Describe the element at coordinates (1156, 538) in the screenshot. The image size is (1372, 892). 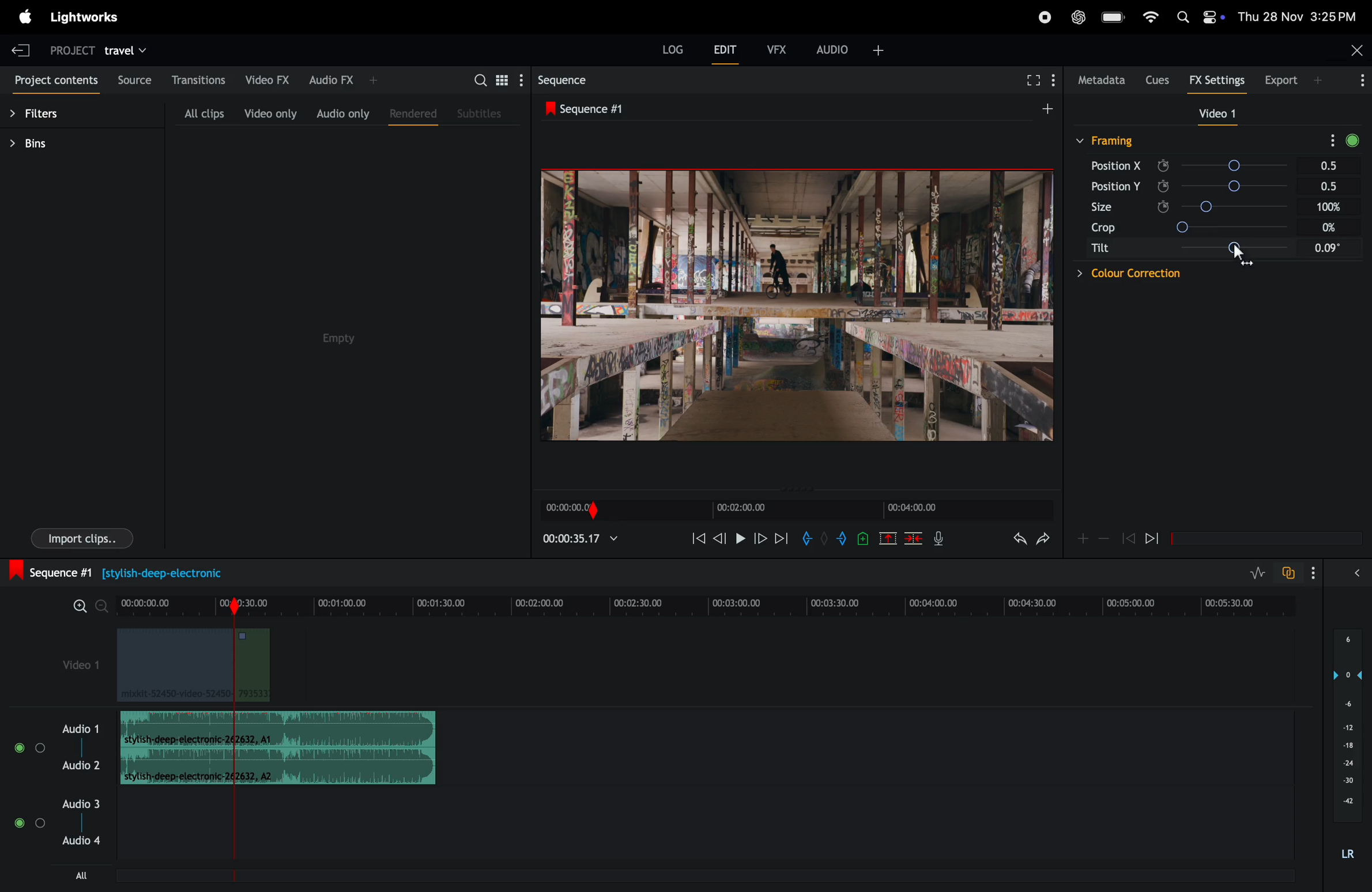
I see `jump to next keyframe` at that location.